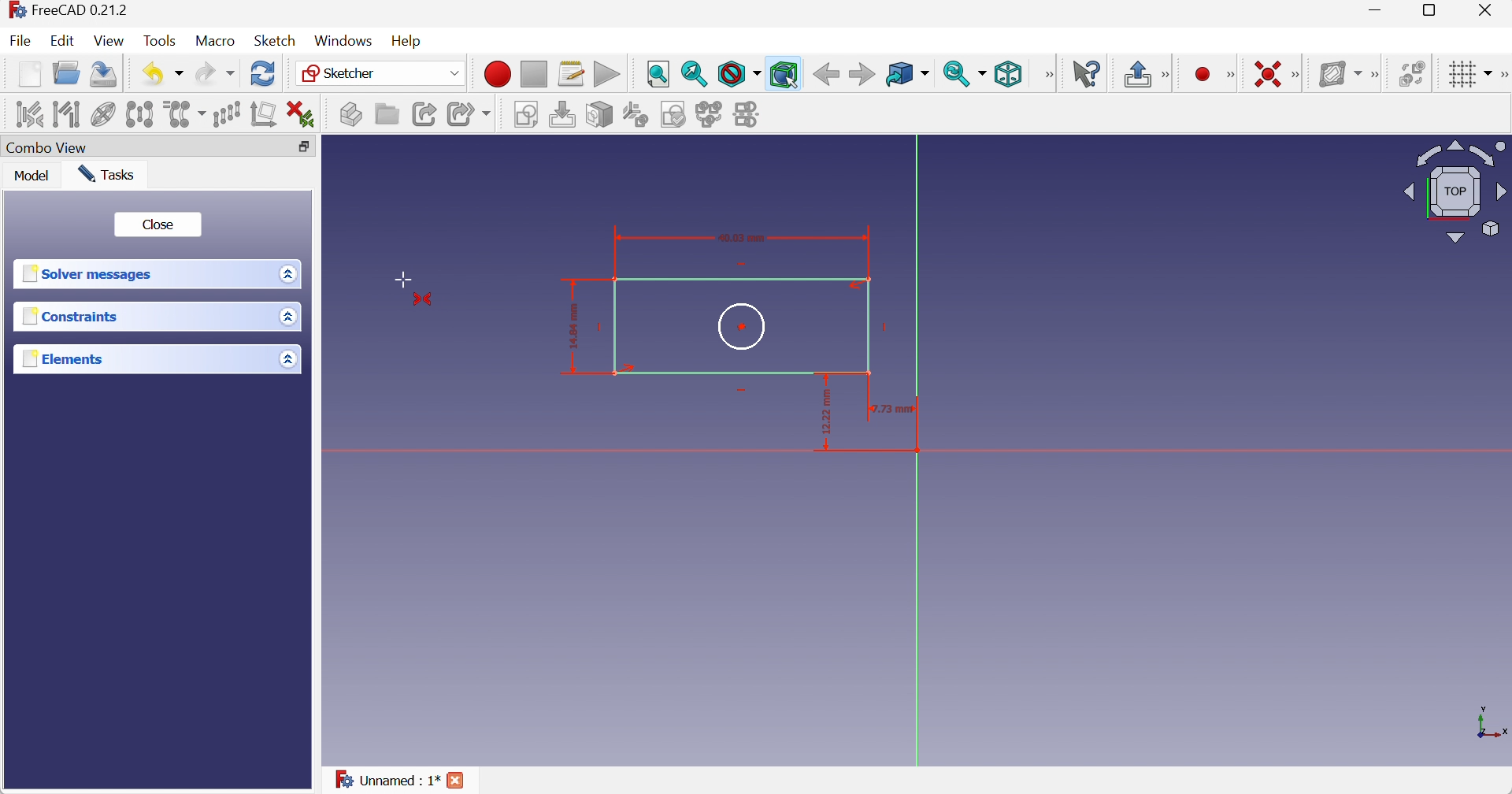 This screenshot has width=1512, height=794. What do you see at coordinates (73, 315) in the screenshot?
I see `Constraints` at bounding box center [73, 315].